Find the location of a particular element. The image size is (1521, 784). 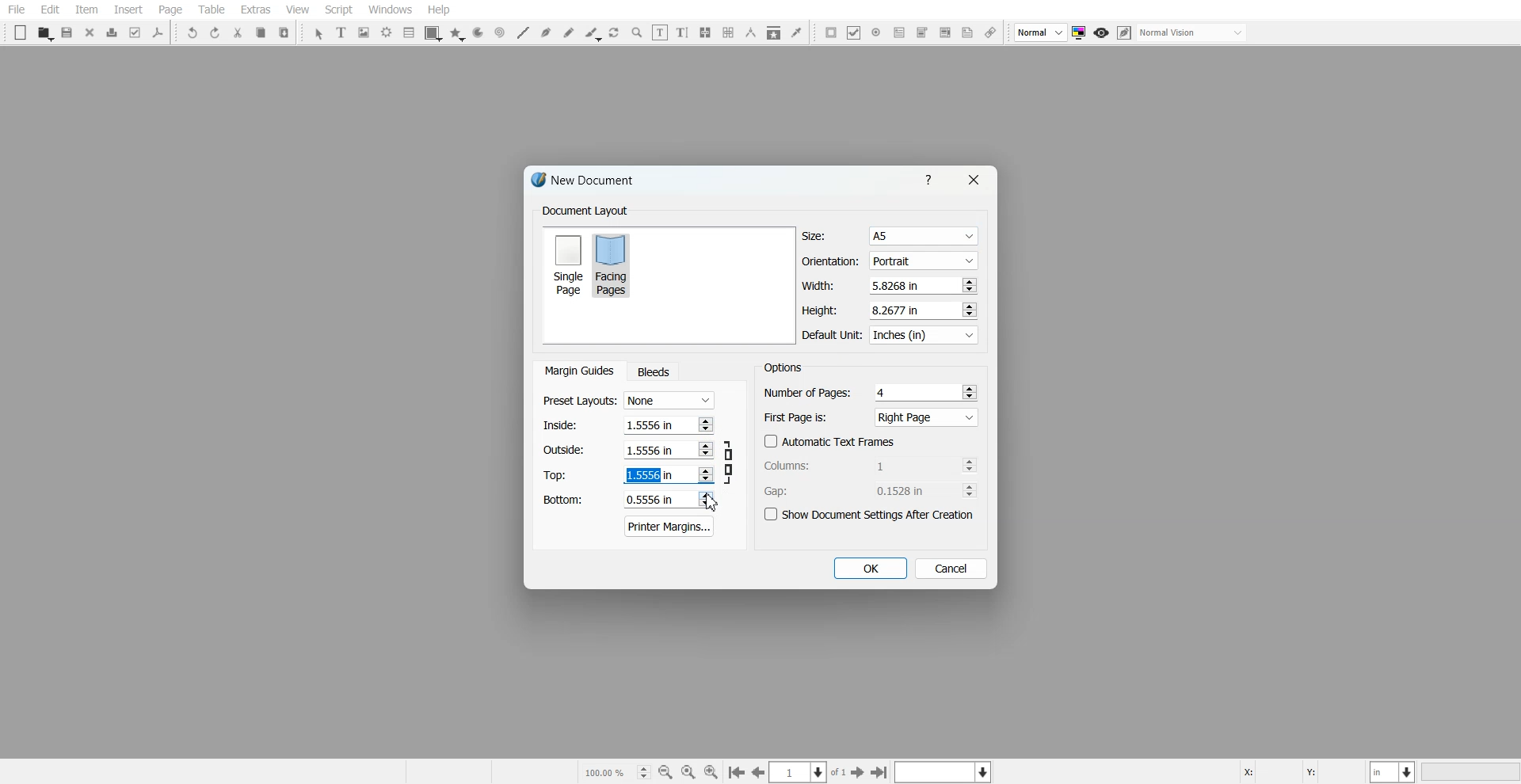

Arc is located at coordinates (478, 33).